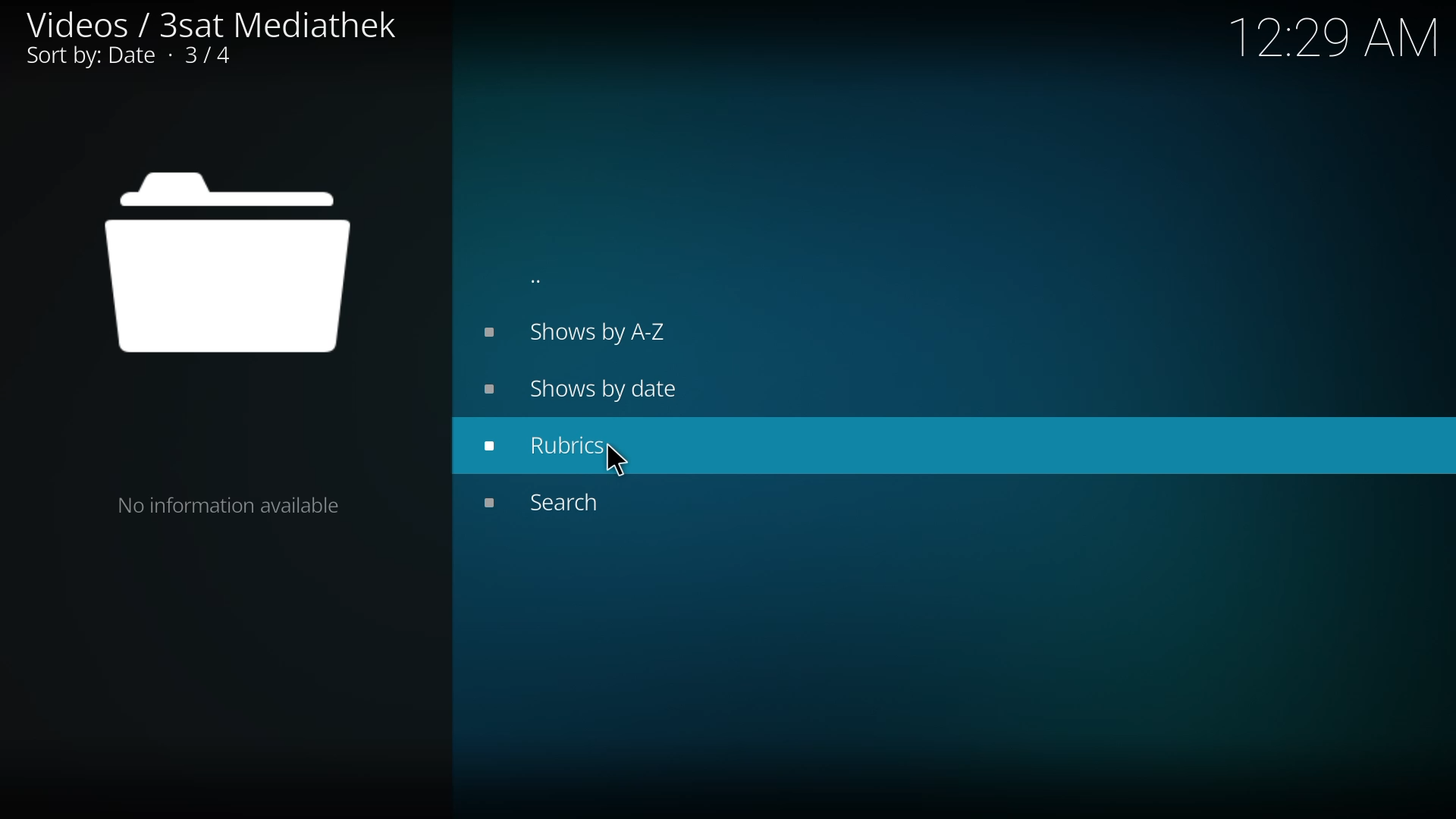 This screenshot has width=1456, height=819. What do you see at coordinates (1338, 35) in the screenshot?
I see `time` at bounding box center [1338, 35].